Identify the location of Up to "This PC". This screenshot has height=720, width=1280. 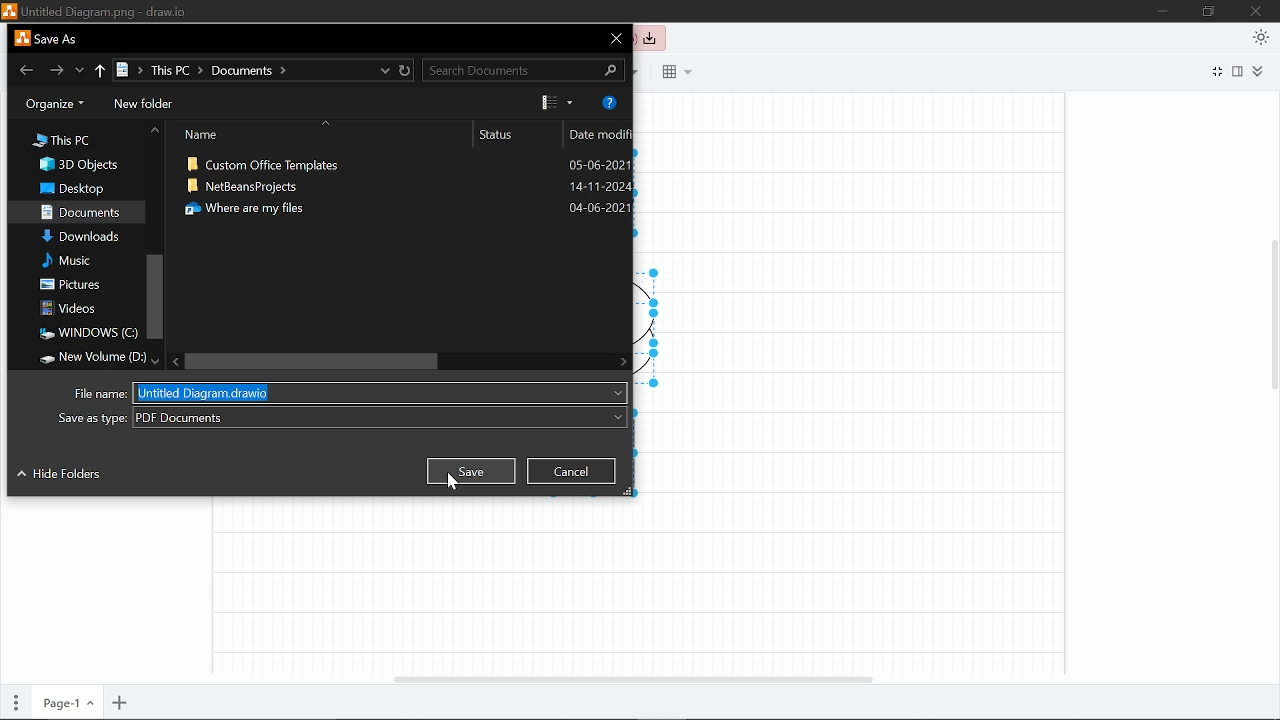
(100, 72).